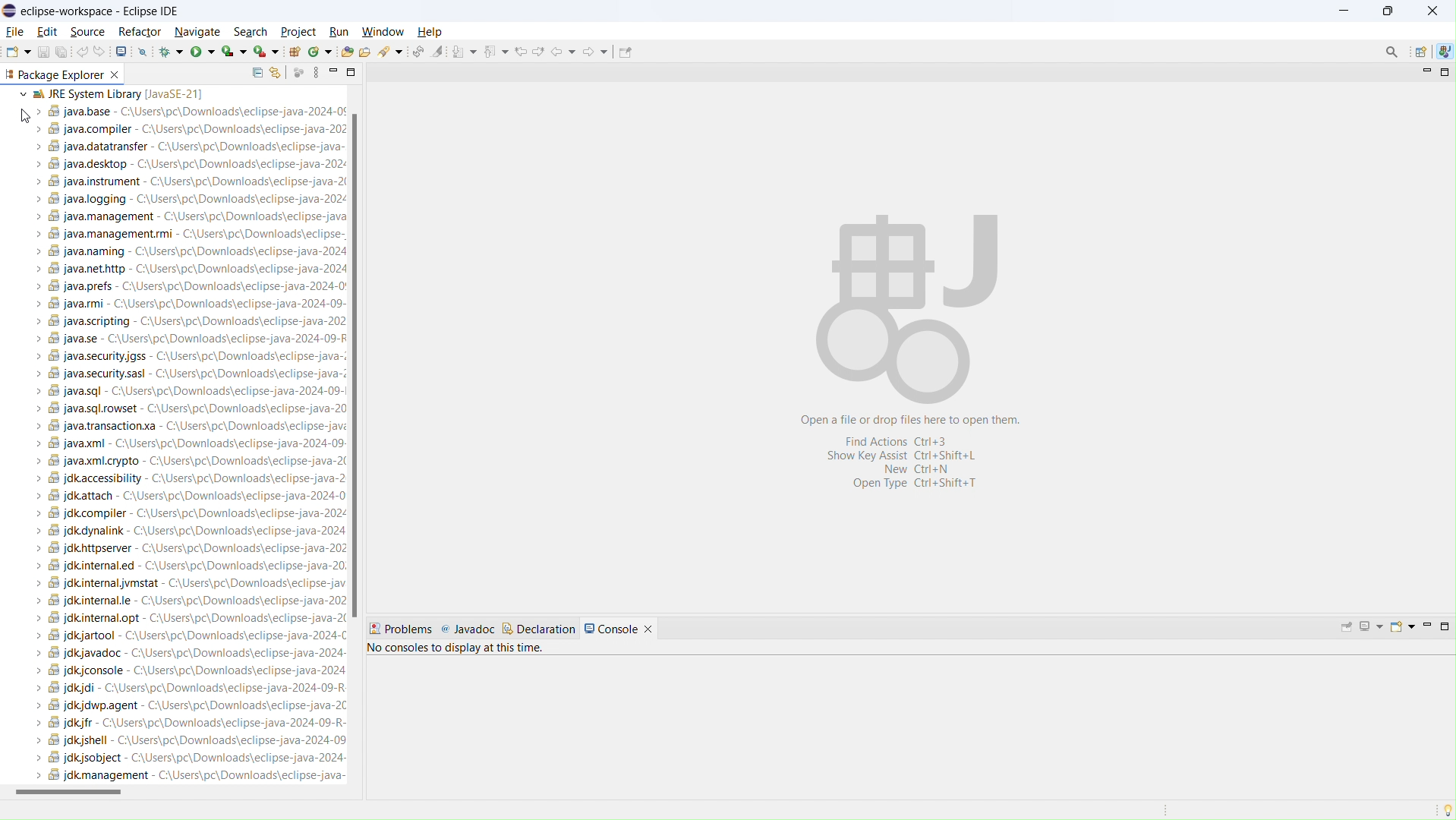 This screenshot has width=1456, height=820. Describe the element at coordinates (1444, 809) in the screenshot. I see `Tip of the day` at that location.